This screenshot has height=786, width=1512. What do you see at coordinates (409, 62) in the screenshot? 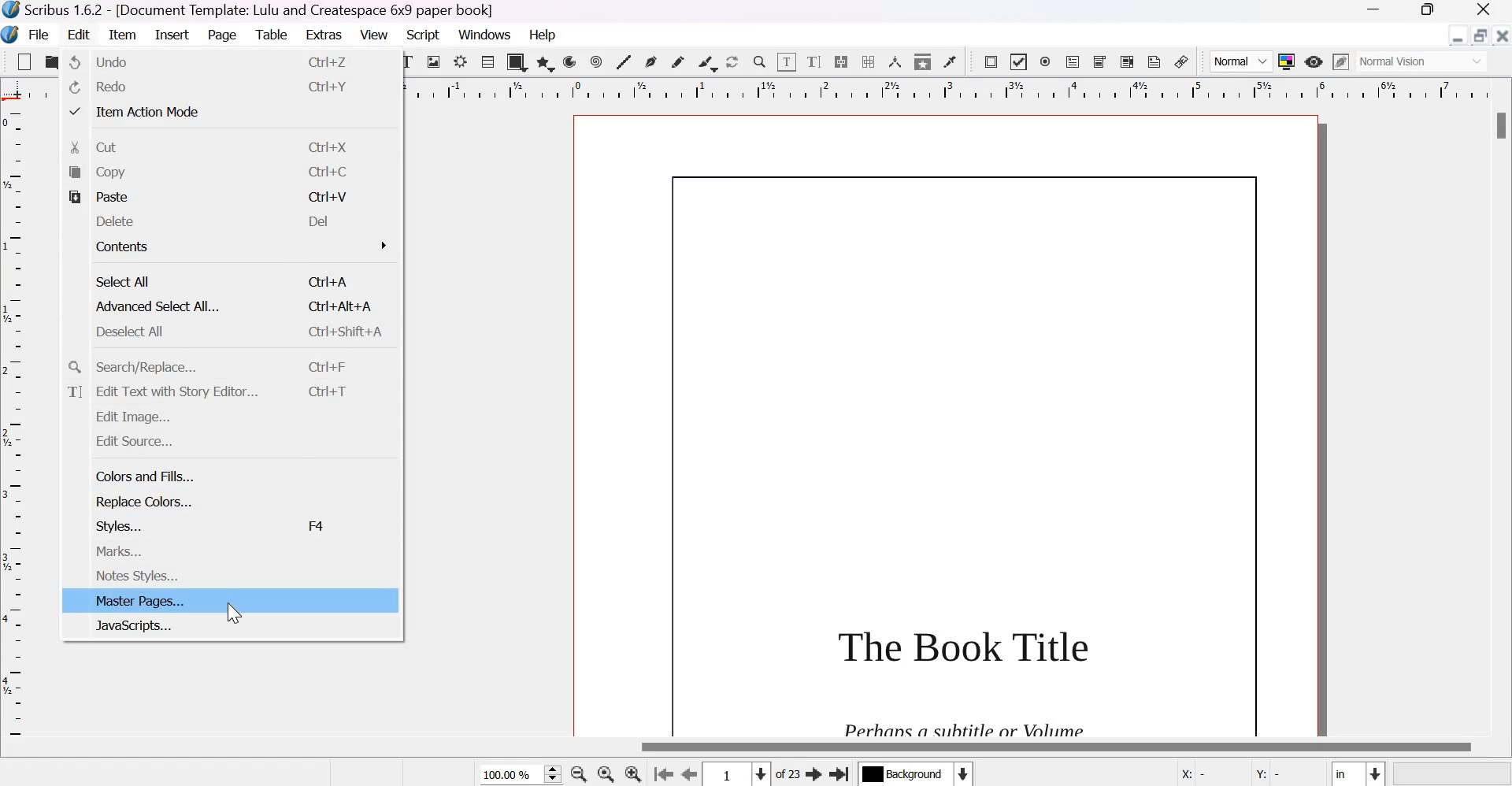
I see `text frame` at bounding box center [409, 62].